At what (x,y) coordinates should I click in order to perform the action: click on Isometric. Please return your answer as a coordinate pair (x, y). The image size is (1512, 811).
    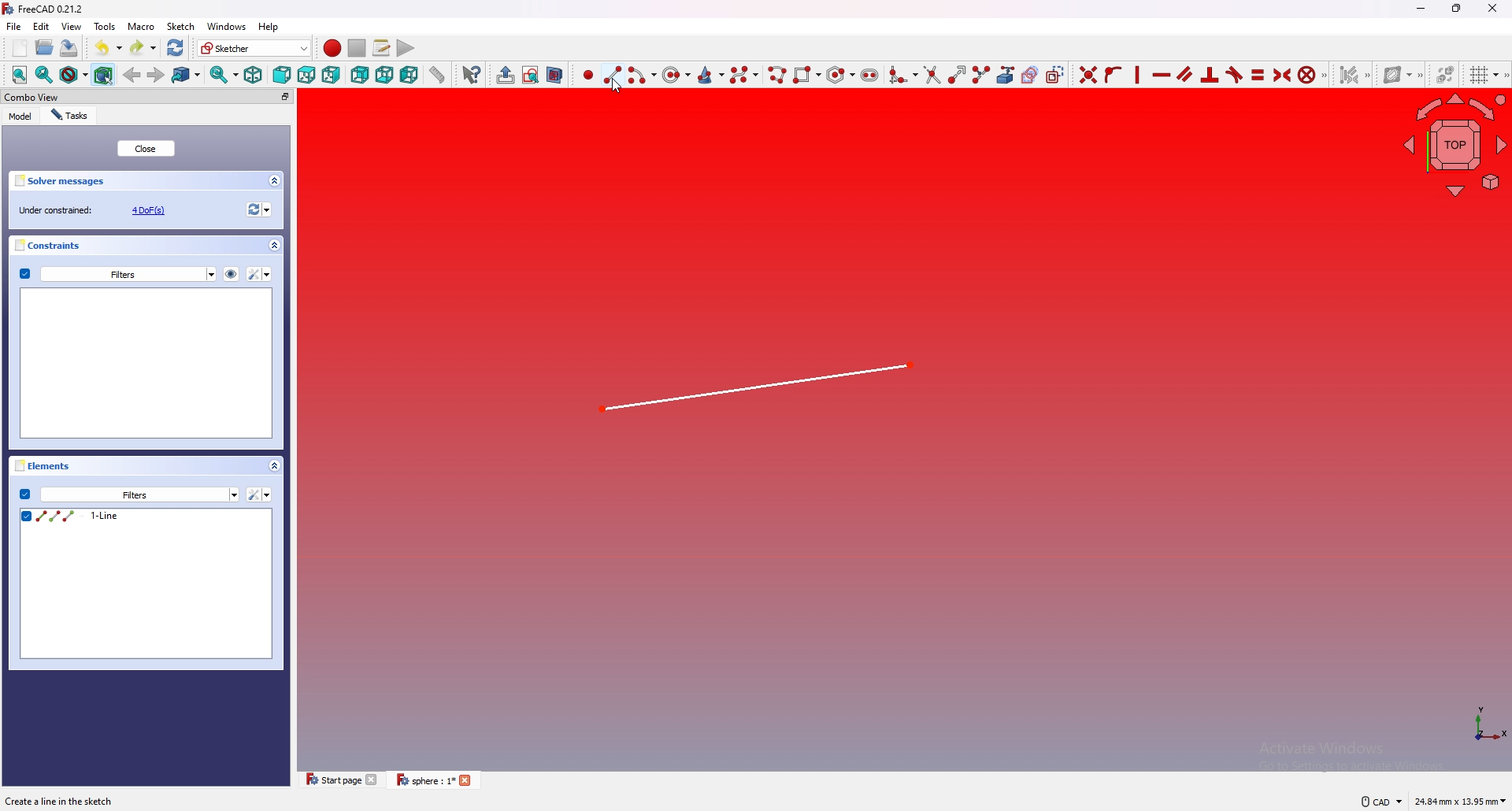
    Looking at the image, I should click on (252, 76).